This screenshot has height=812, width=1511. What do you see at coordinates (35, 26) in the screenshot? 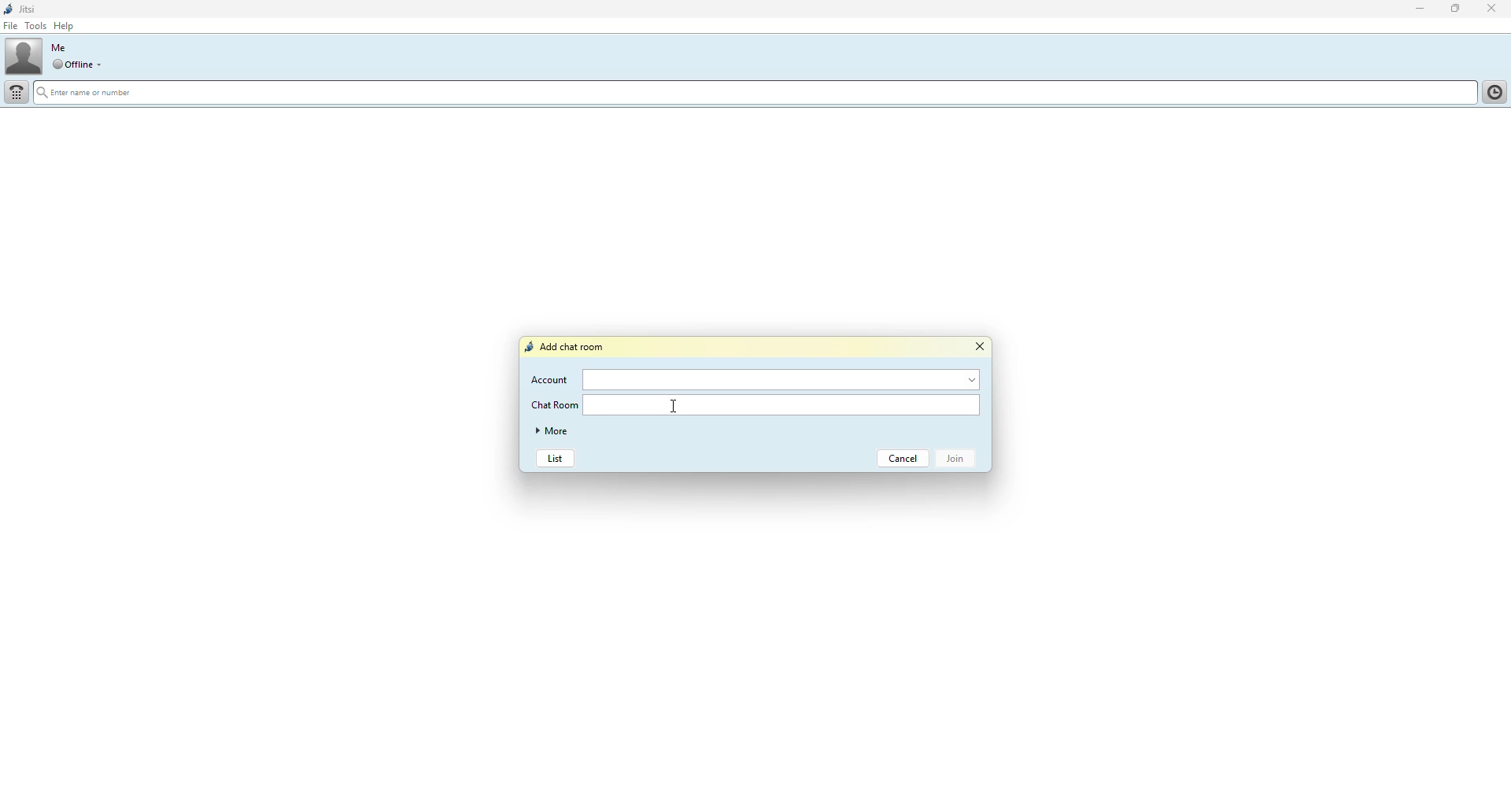
I see `tools` at bounding box center [35, 26].